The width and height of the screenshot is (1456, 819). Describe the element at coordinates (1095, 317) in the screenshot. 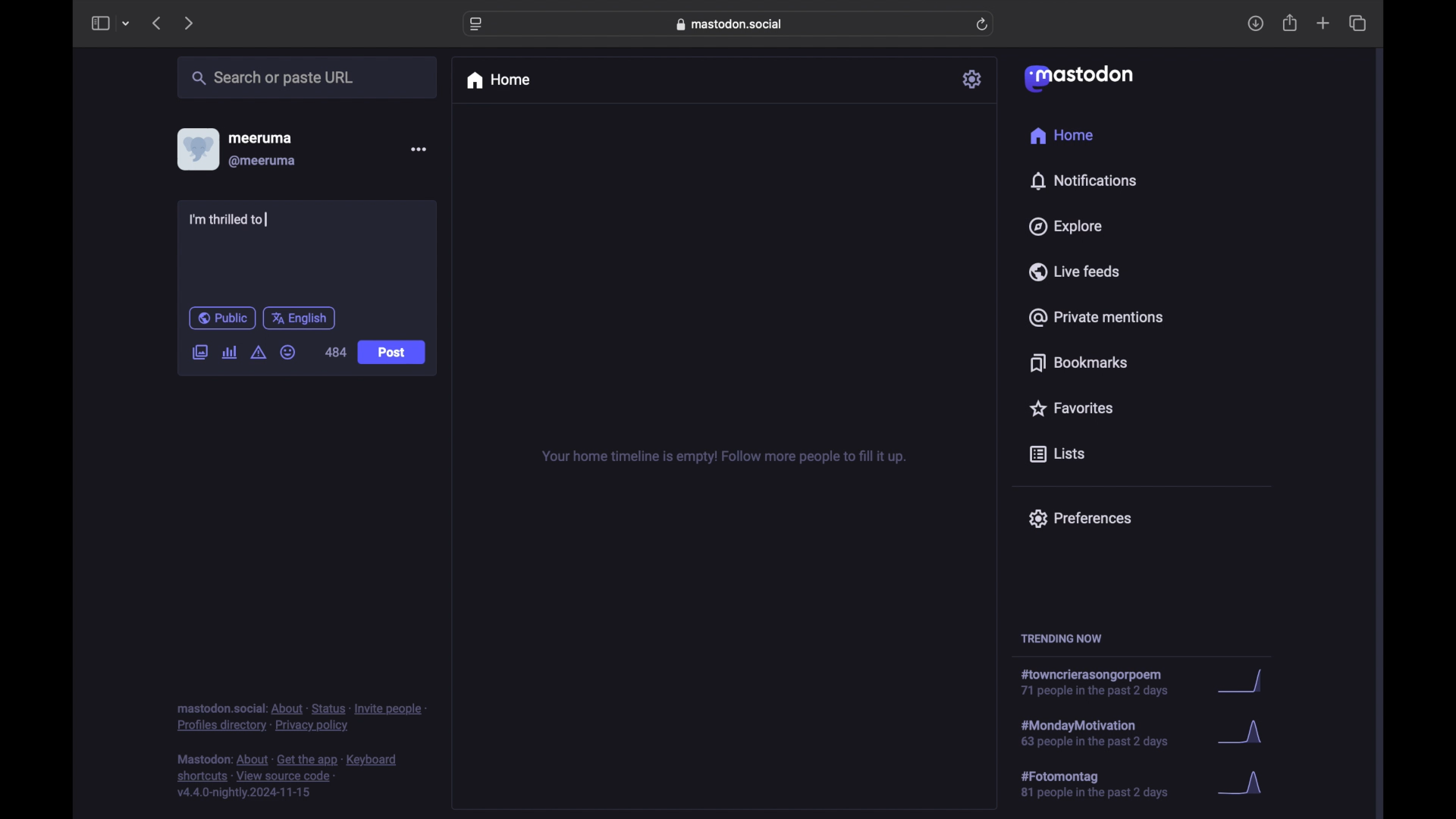

I see `private mentions` at that location.